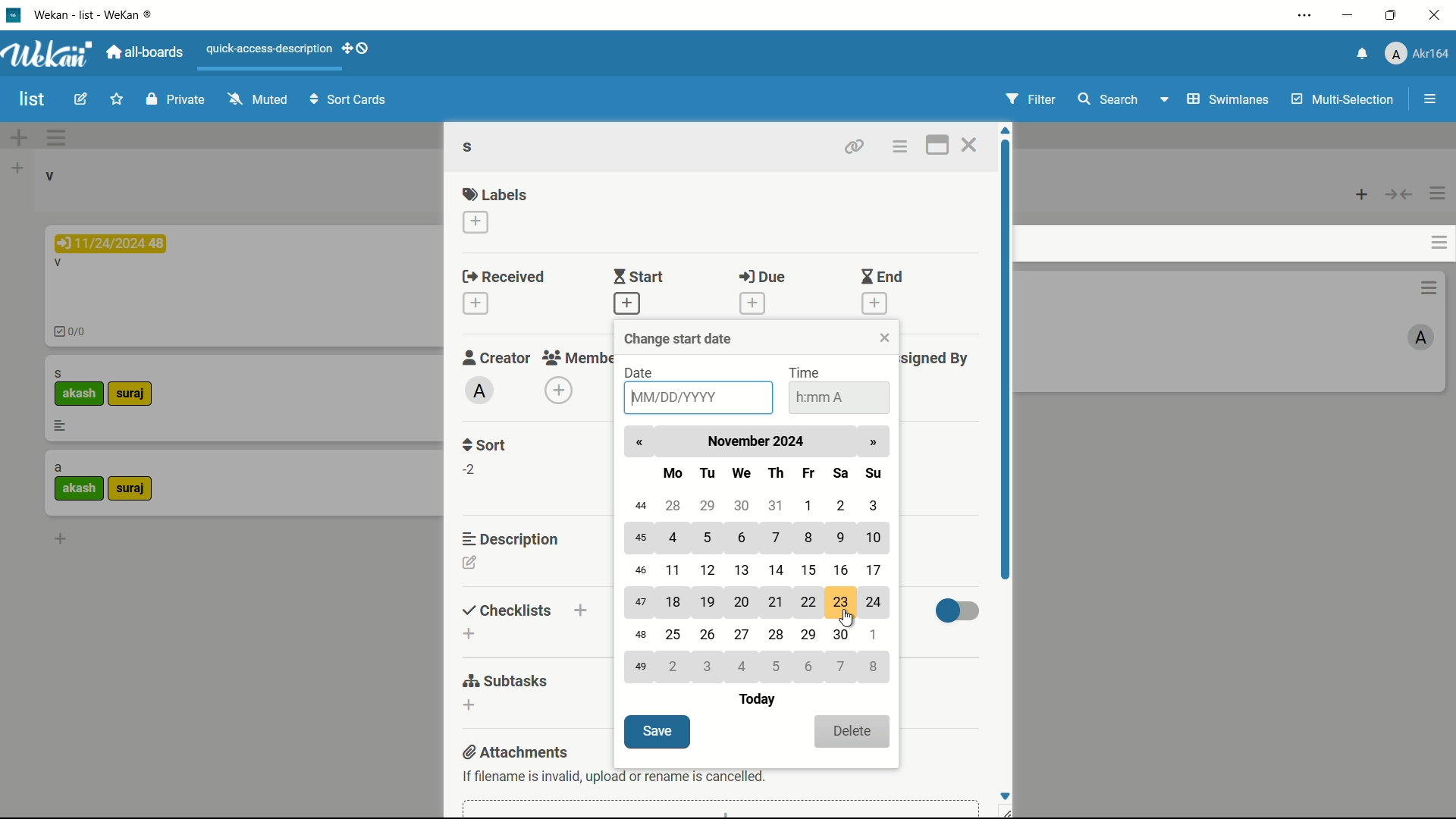 The image size is (1456, 819). I want to click on private, so click(178, 99).